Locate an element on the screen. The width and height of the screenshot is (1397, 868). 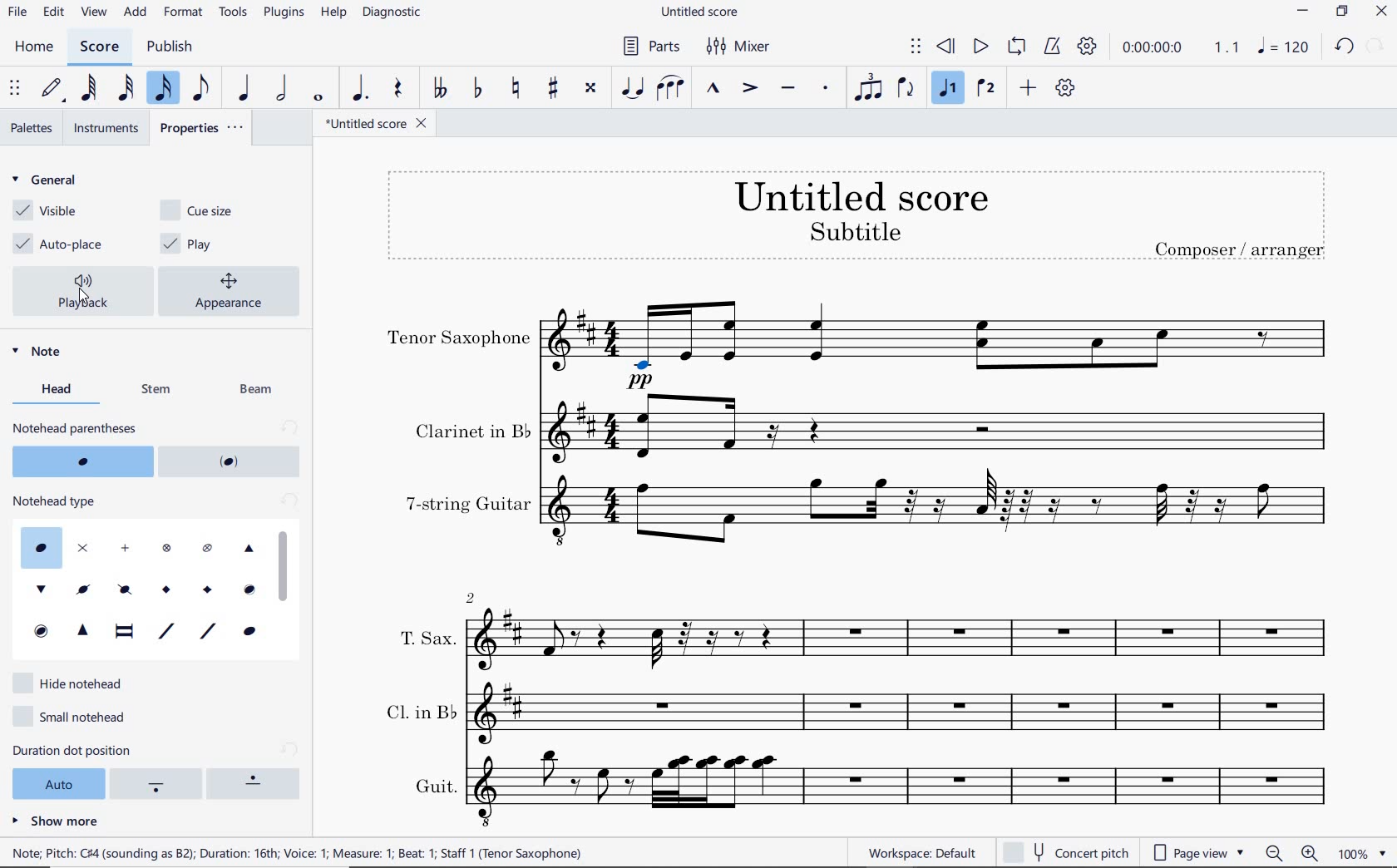
note:pitch is located at coordinates (298, 852).